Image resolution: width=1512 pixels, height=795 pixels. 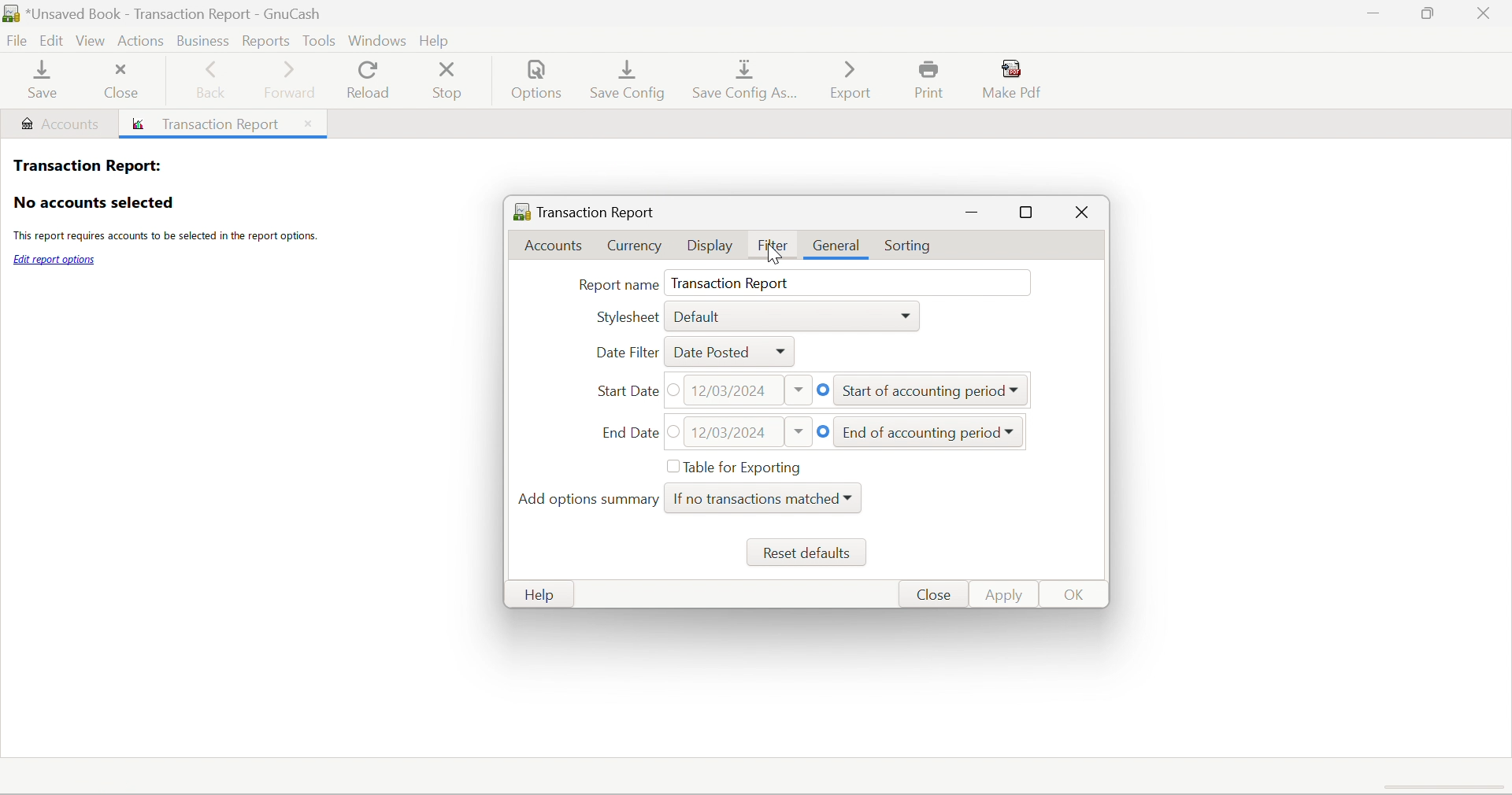 I want to click on Minimize, so click(x=973, y=213).